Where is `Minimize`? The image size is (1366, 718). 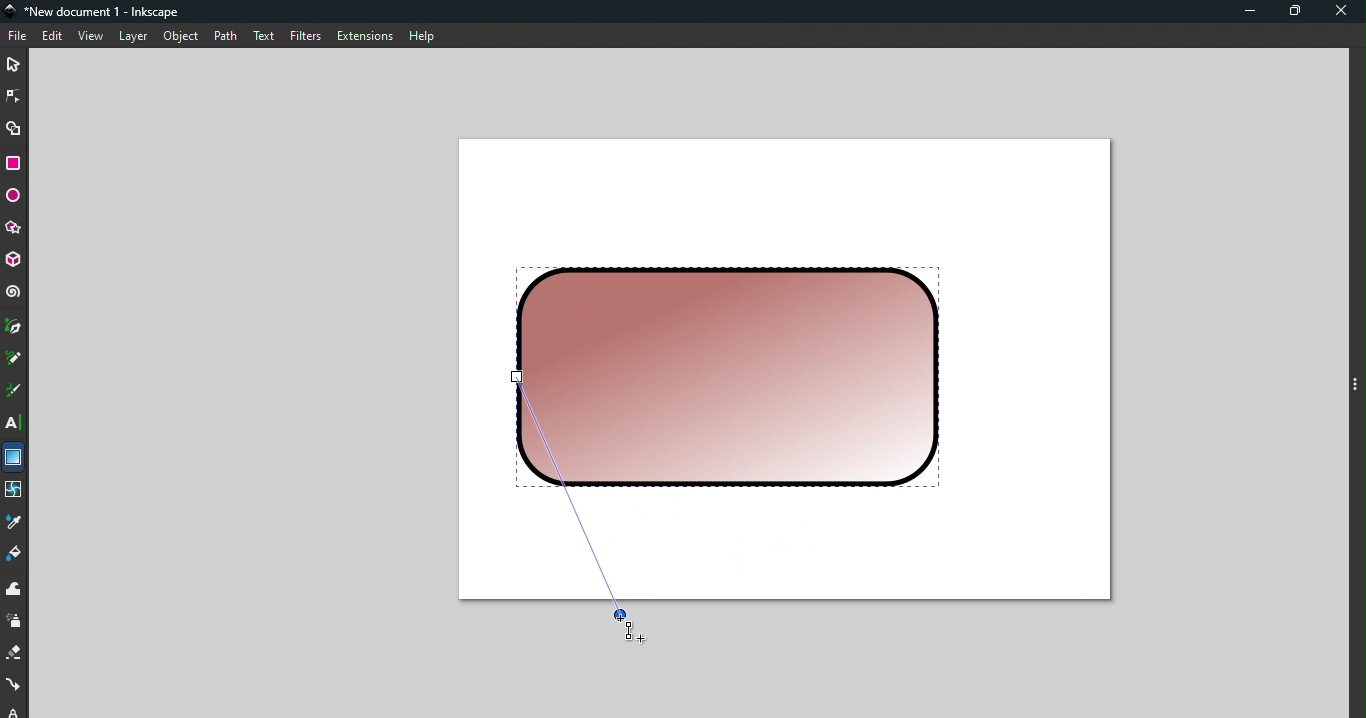 Minimize is located at coordinates (1245, 13).